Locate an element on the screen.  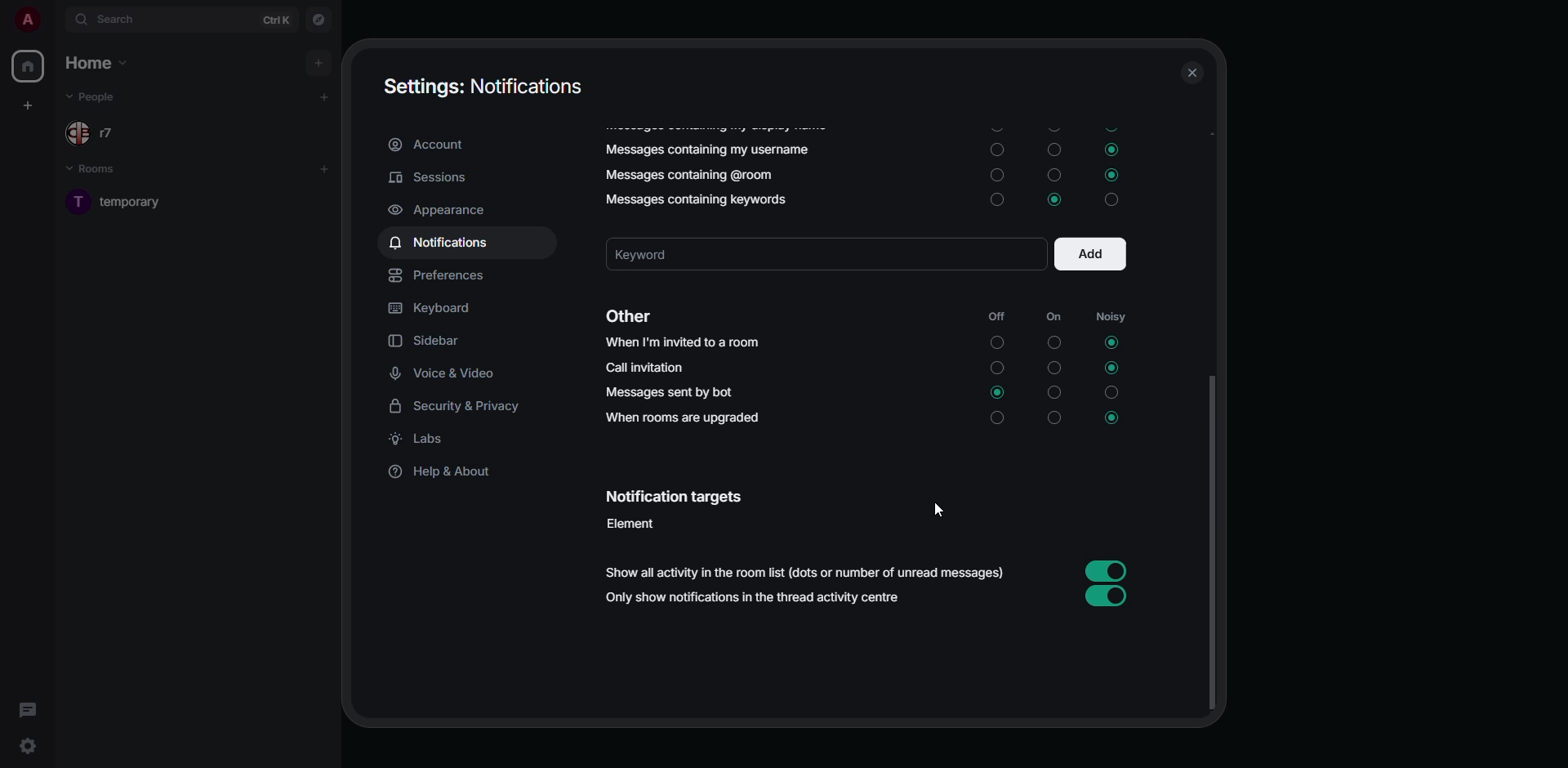
settings is located at coordinates (488, 87).